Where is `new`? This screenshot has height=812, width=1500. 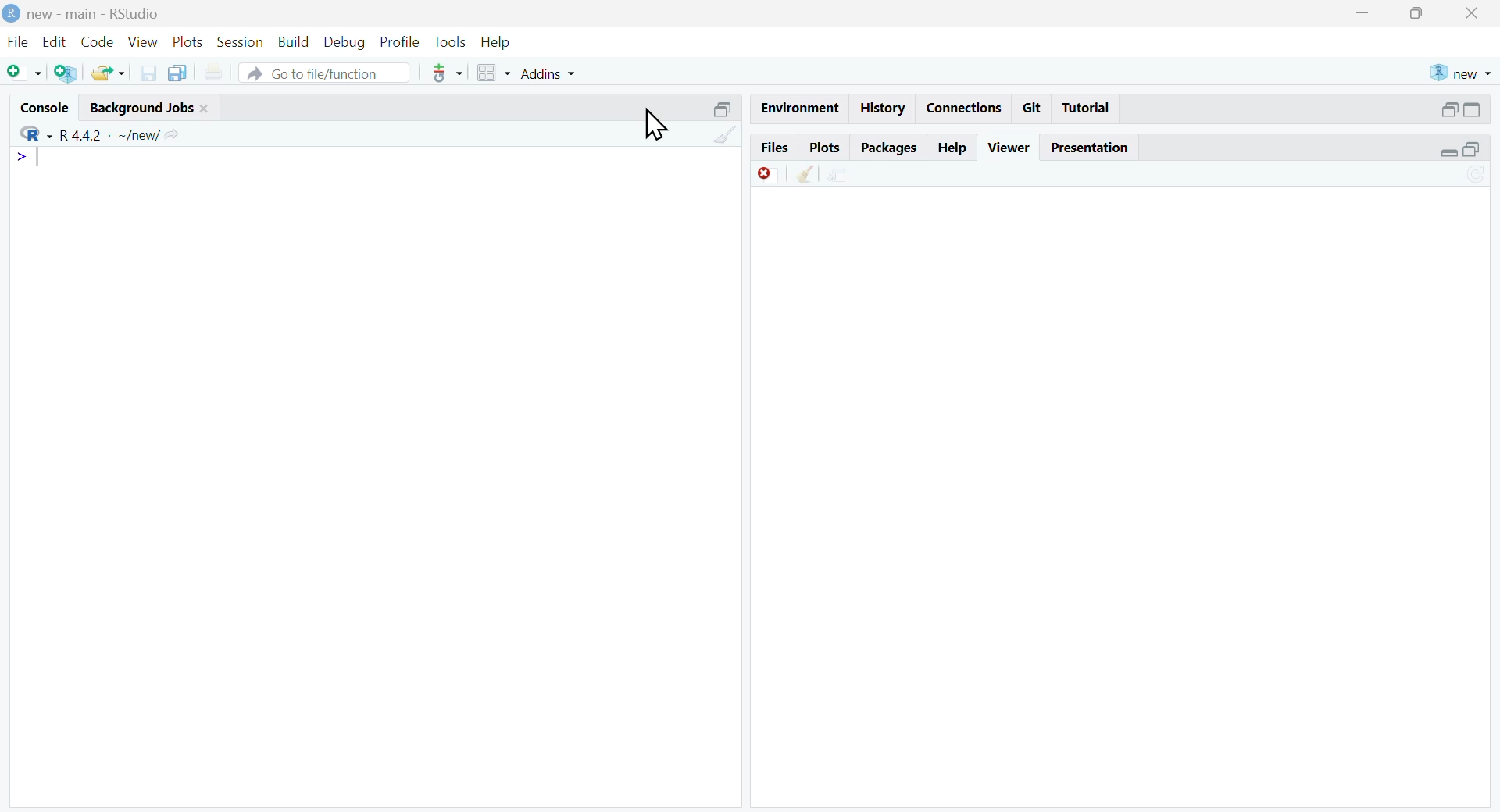
new is located at coordinates (1460, 74).